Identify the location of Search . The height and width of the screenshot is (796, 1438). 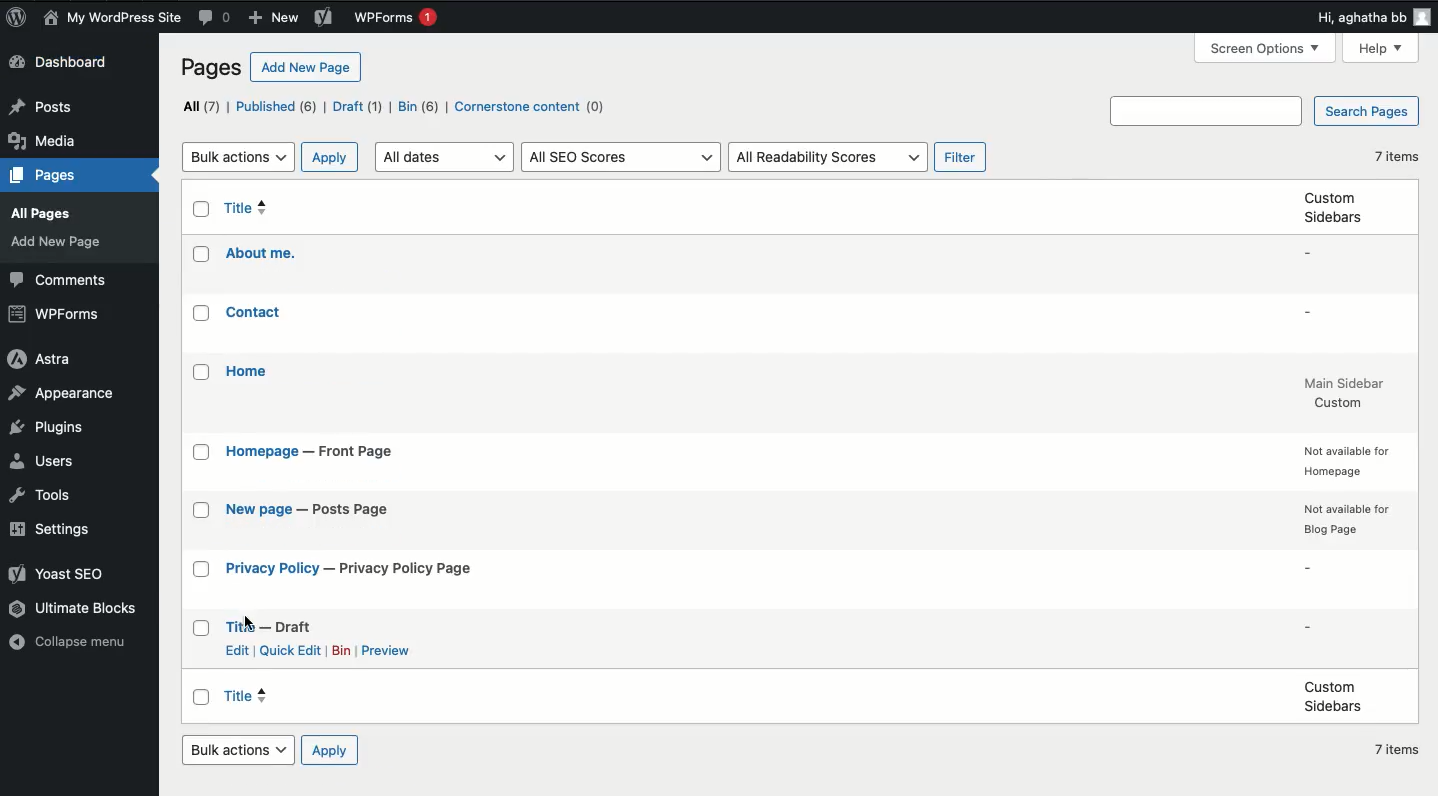
(1209, 111).